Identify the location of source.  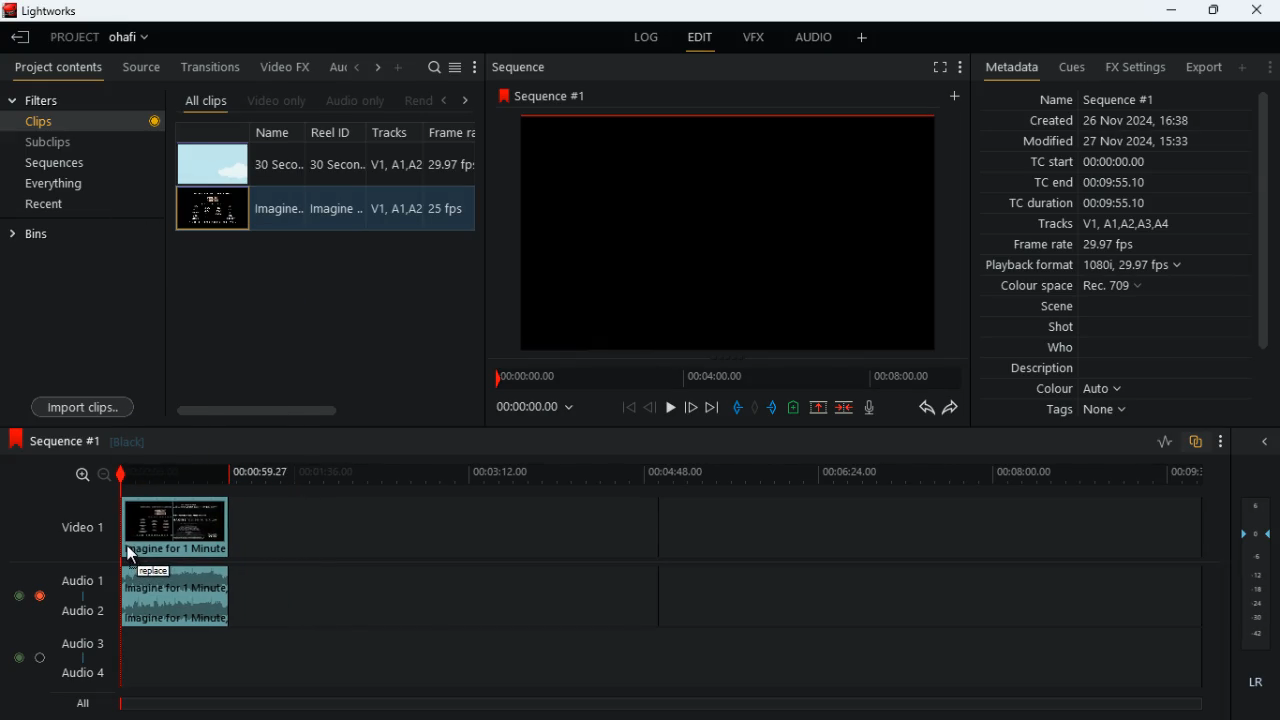
(142, 68).